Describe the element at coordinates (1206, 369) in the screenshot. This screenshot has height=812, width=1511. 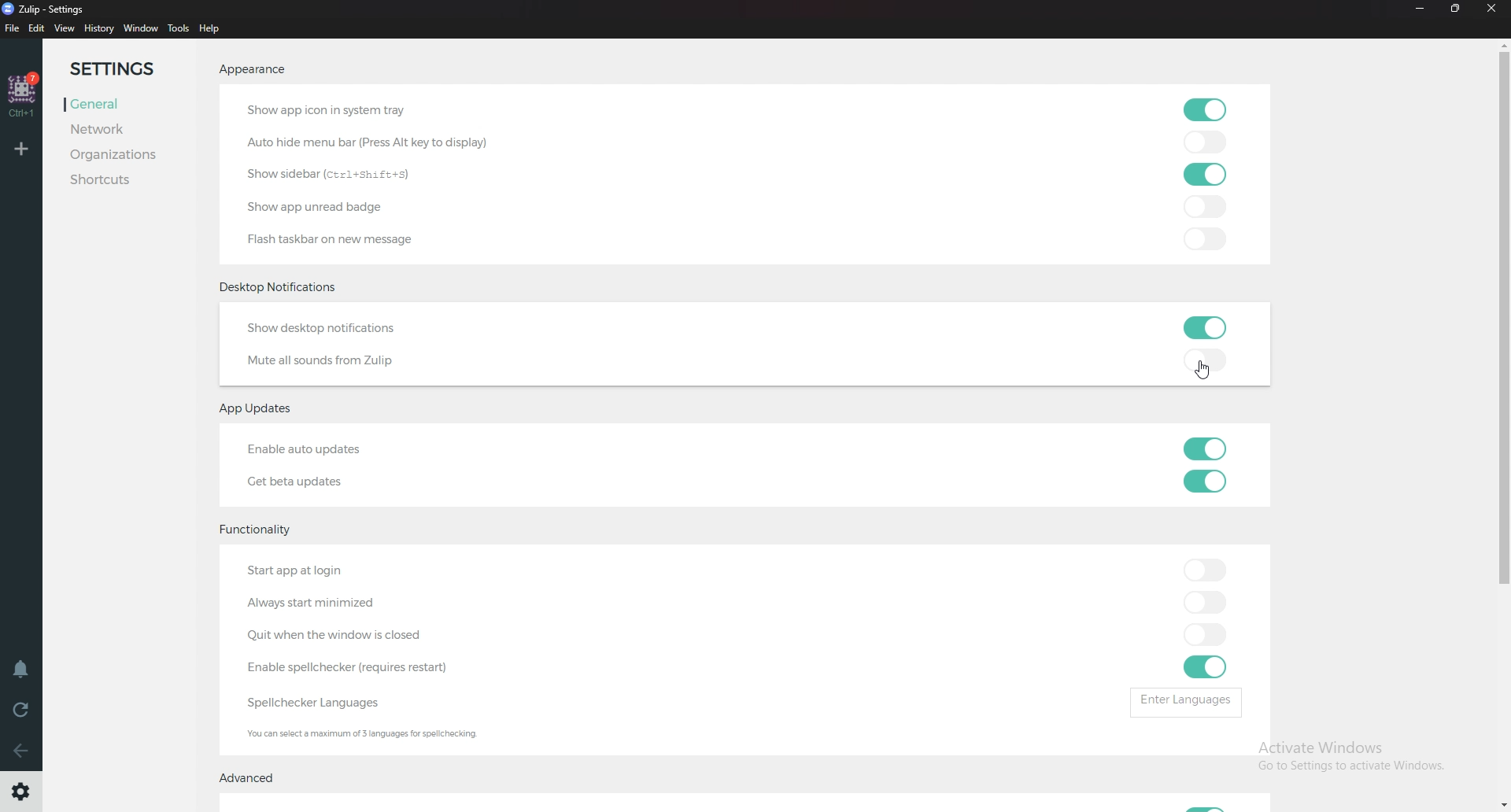
I see `Cursor` at that location.